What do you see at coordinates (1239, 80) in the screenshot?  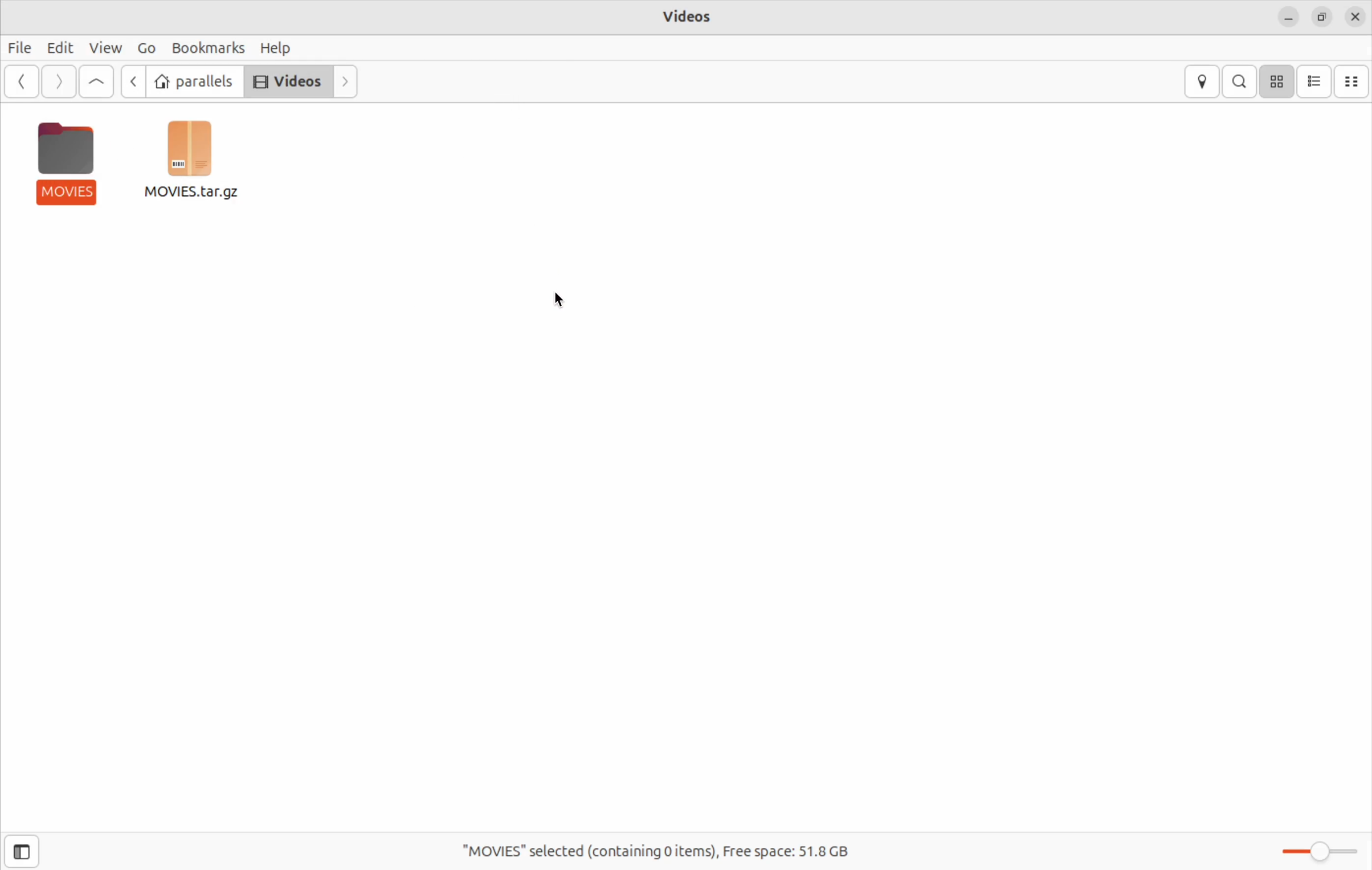 I see `search` at bounding box center [1239, 80].